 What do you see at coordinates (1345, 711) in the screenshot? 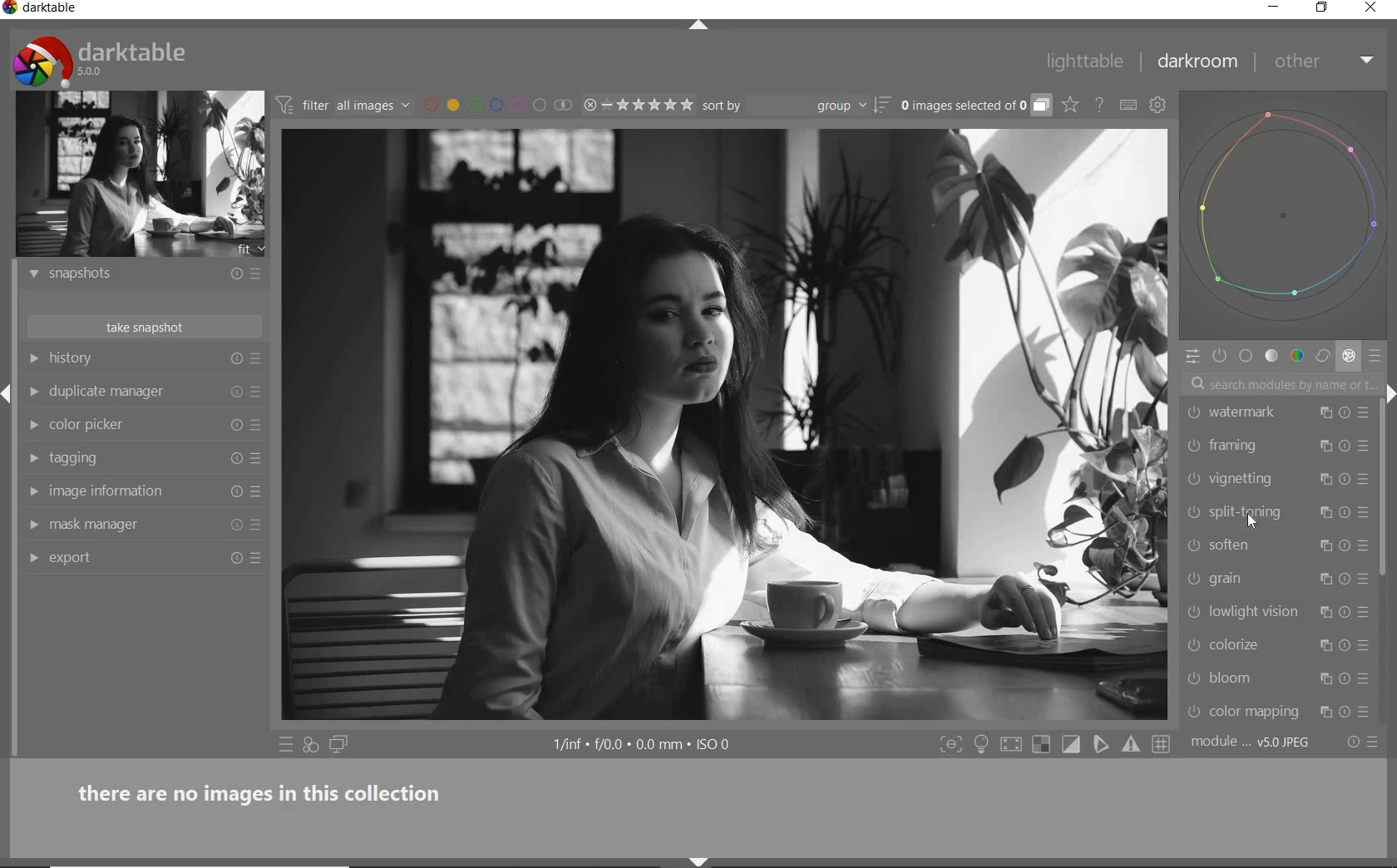
I see `reset` at bounding box center [1345, 711].